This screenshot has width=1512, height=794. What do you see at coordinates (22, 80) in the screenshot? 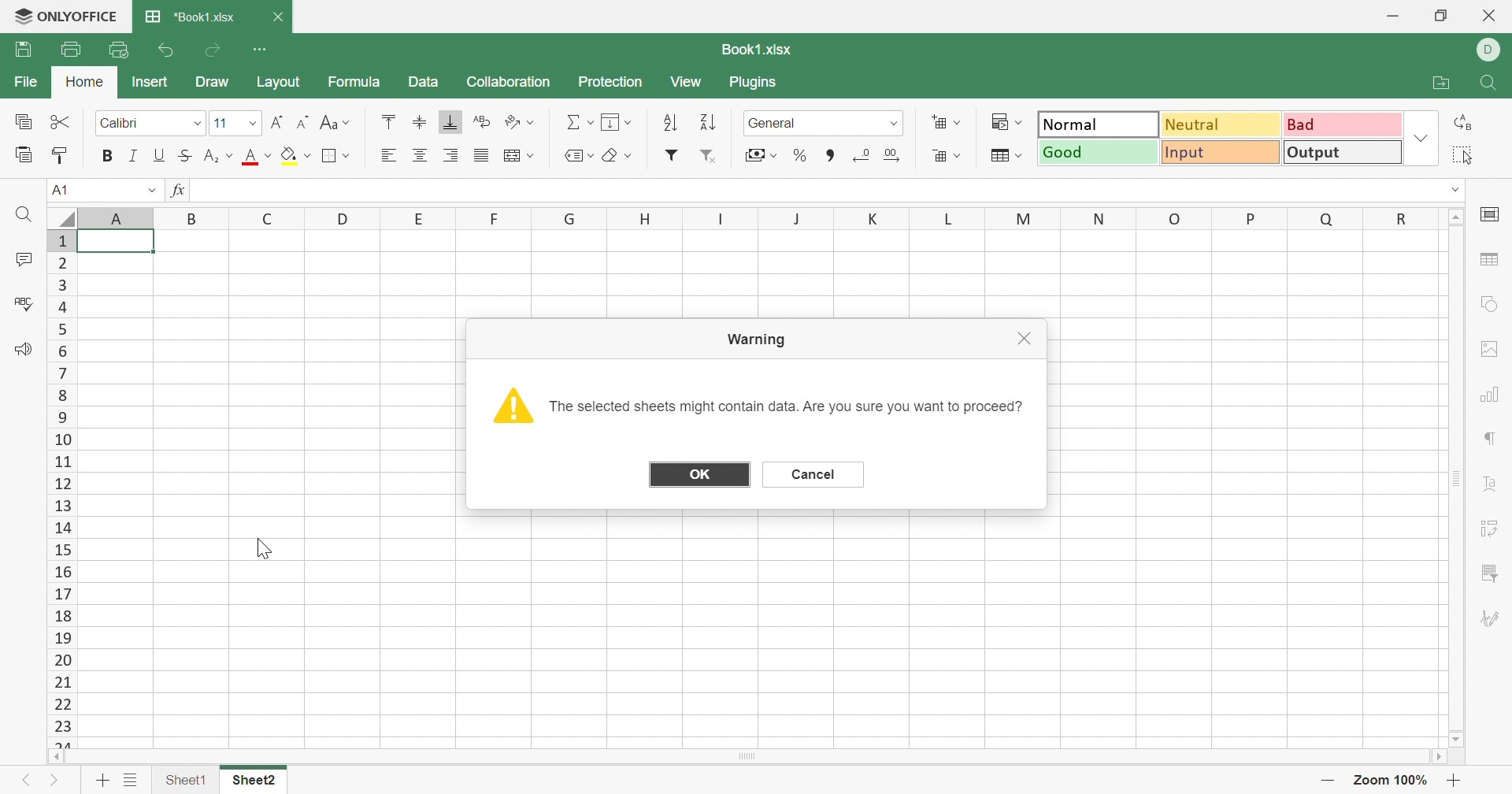
I see `File` at bounding box center [22, 80].